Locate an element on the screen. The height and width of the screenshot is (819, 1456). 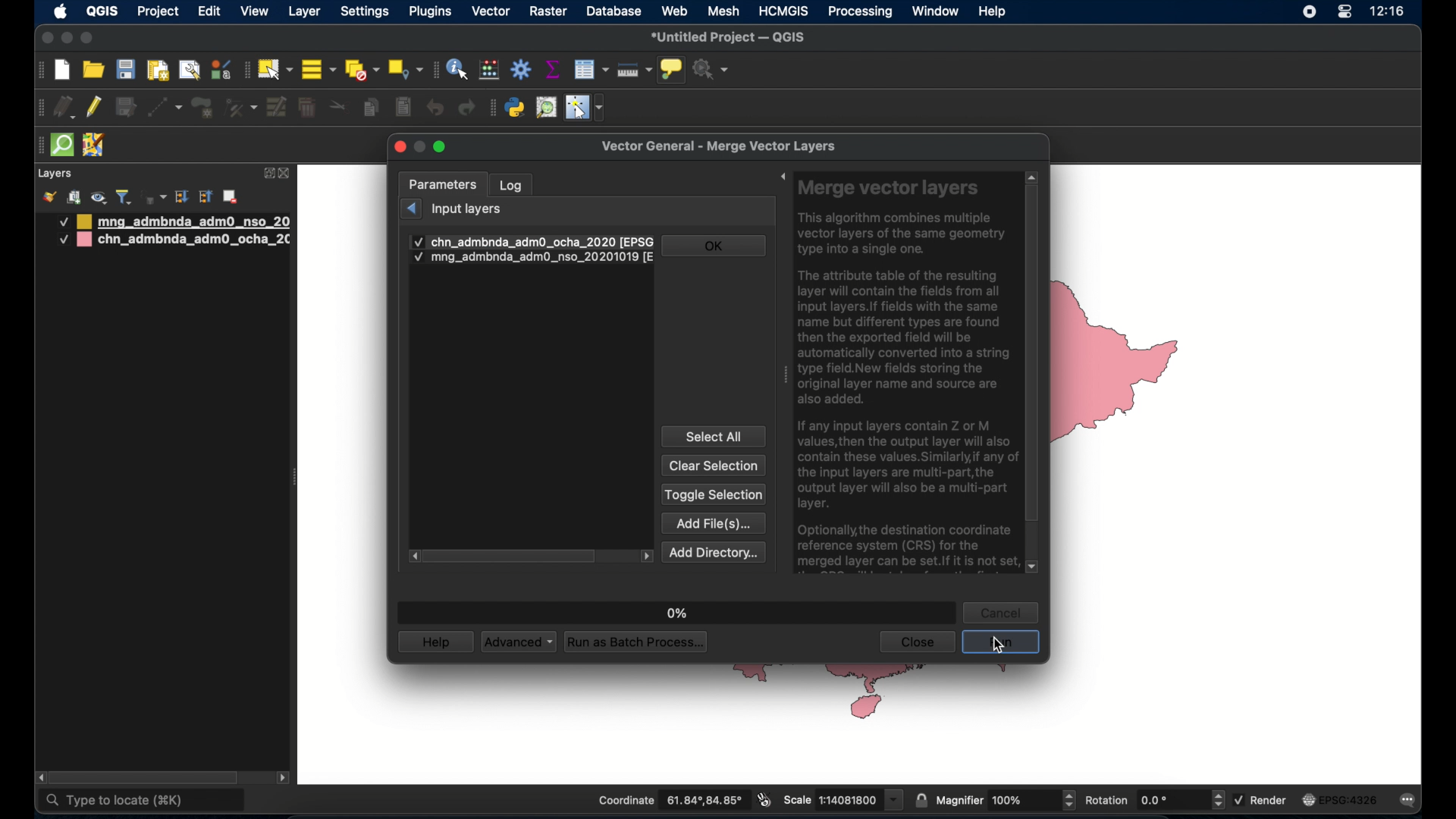
log is located at coordinates (512, 184).